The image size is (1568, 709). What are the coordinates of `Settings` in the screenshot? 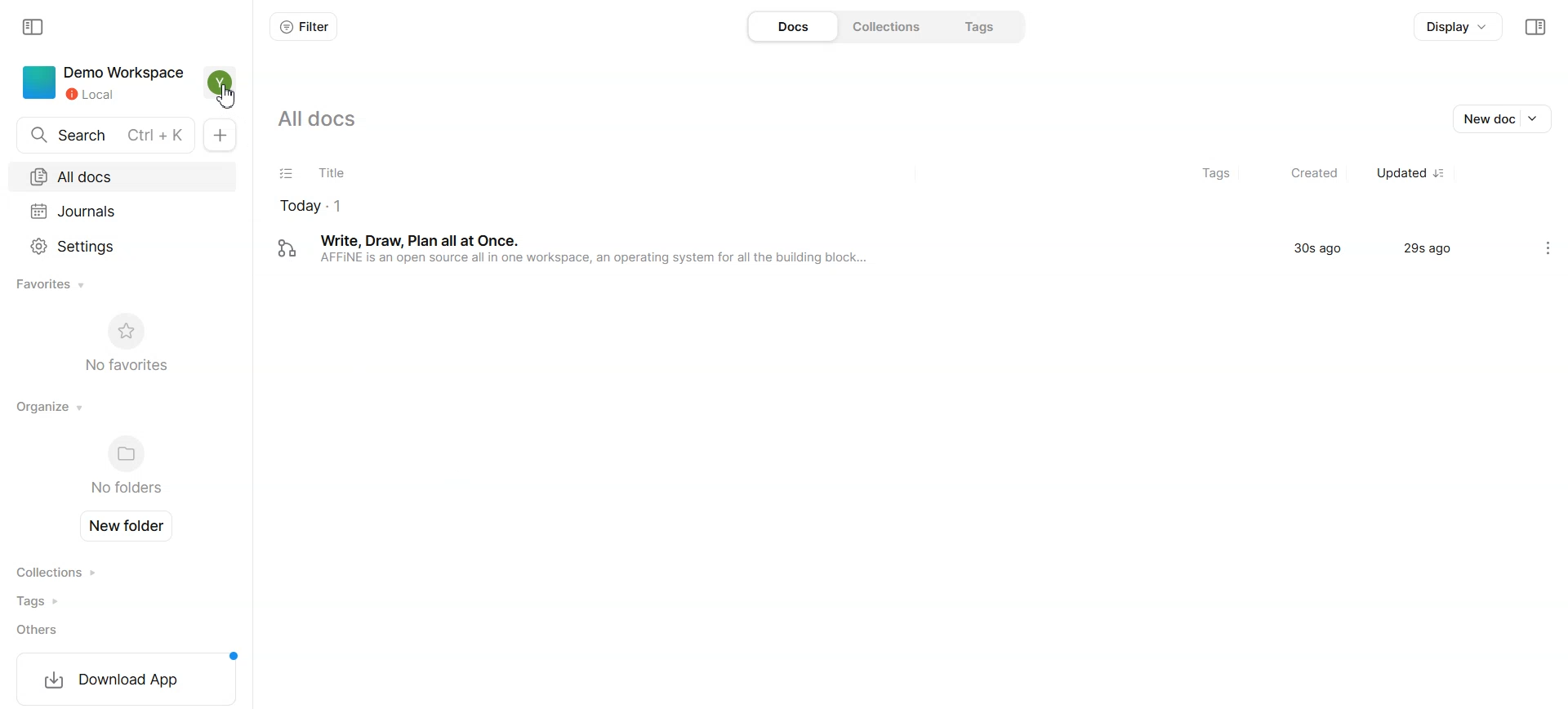 It's located at (122, 244).